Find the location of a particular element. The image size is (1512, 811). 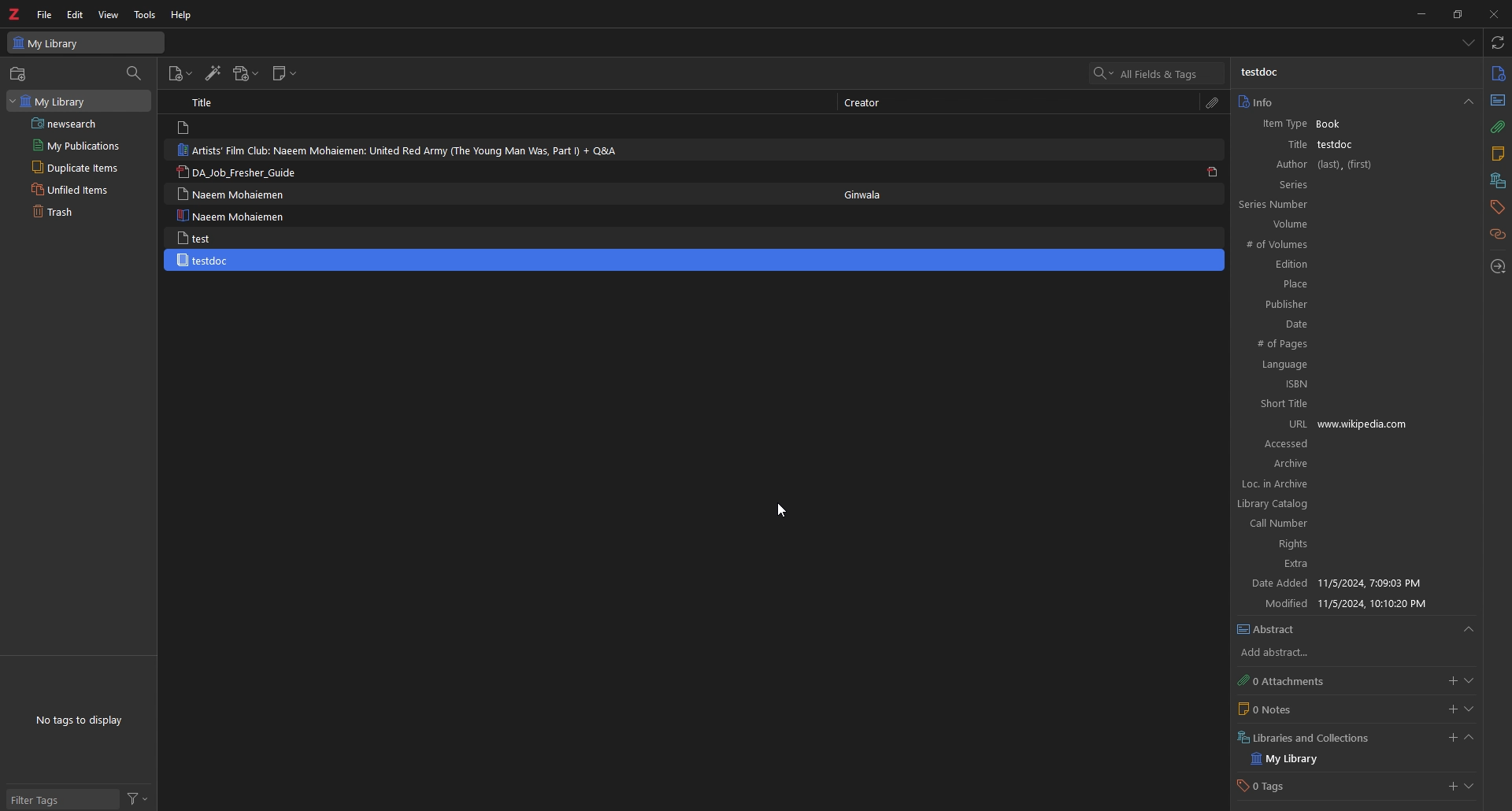

file is located at coordinates (45, 15).